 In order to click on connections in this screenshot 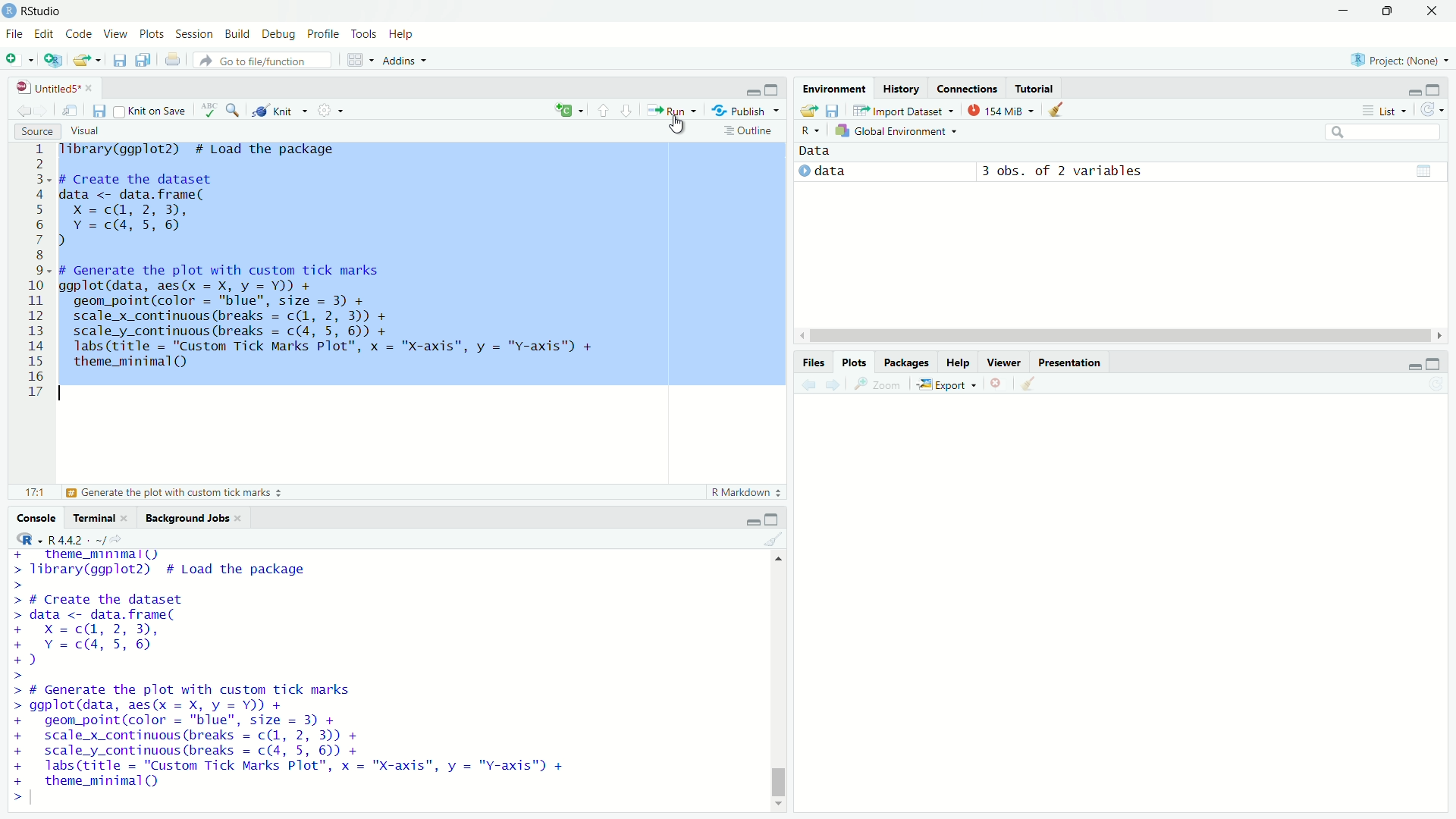, I will do `click(966, 88)`.